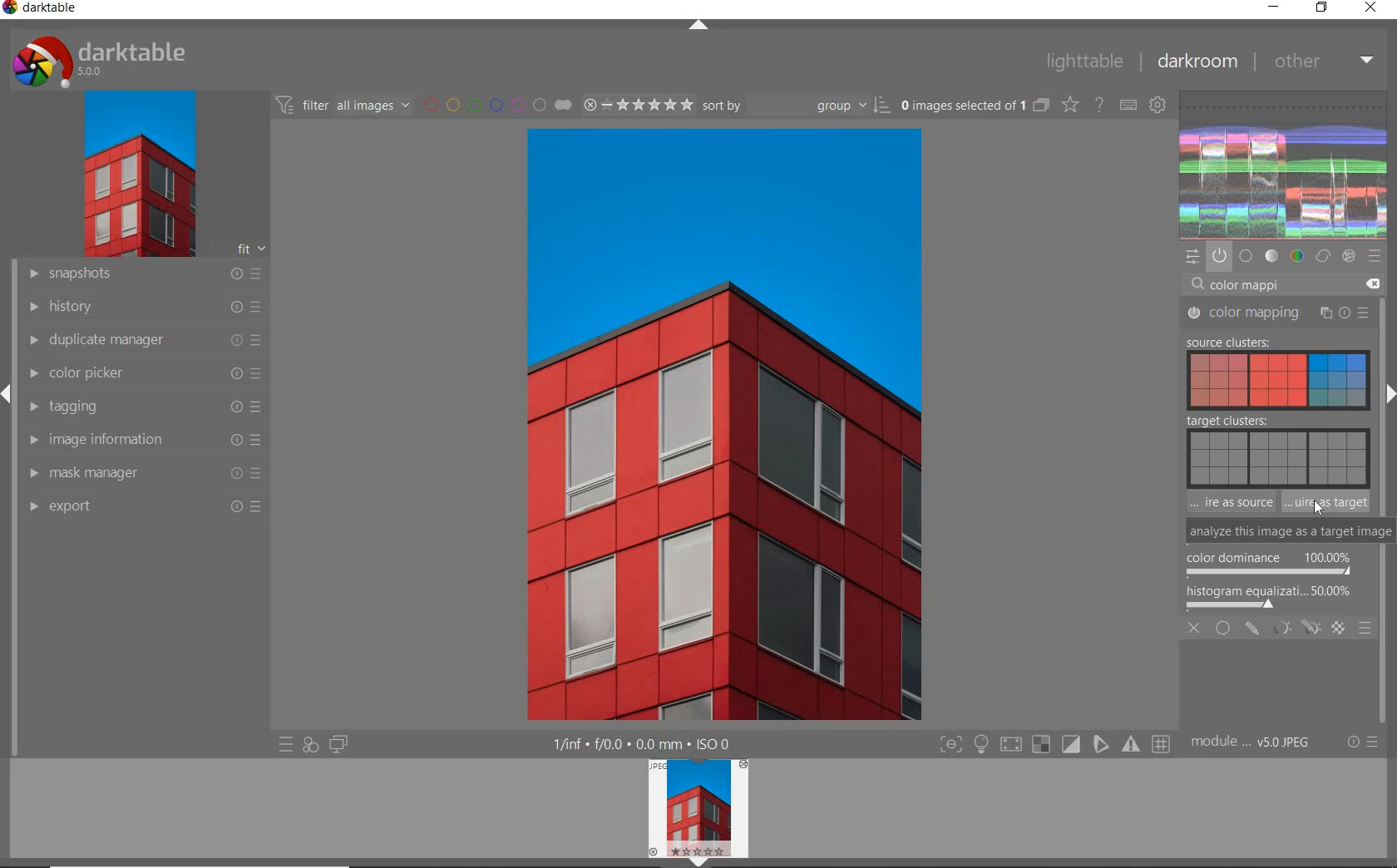 This screenshot has width=1397, height=868. I want to click on quick access to preset, so click(286, 745).